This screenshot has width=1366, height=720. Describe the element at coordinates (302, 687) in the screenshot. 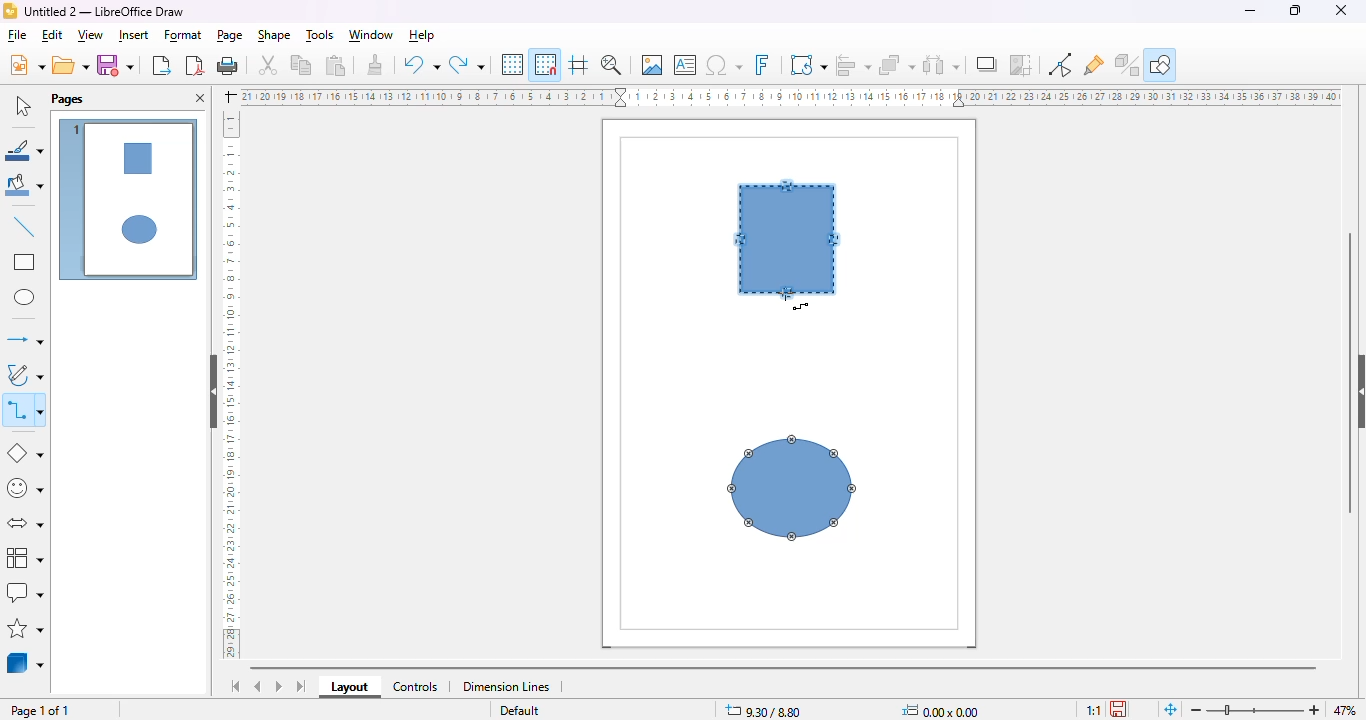

I see `scroll to last sheet` at that location.